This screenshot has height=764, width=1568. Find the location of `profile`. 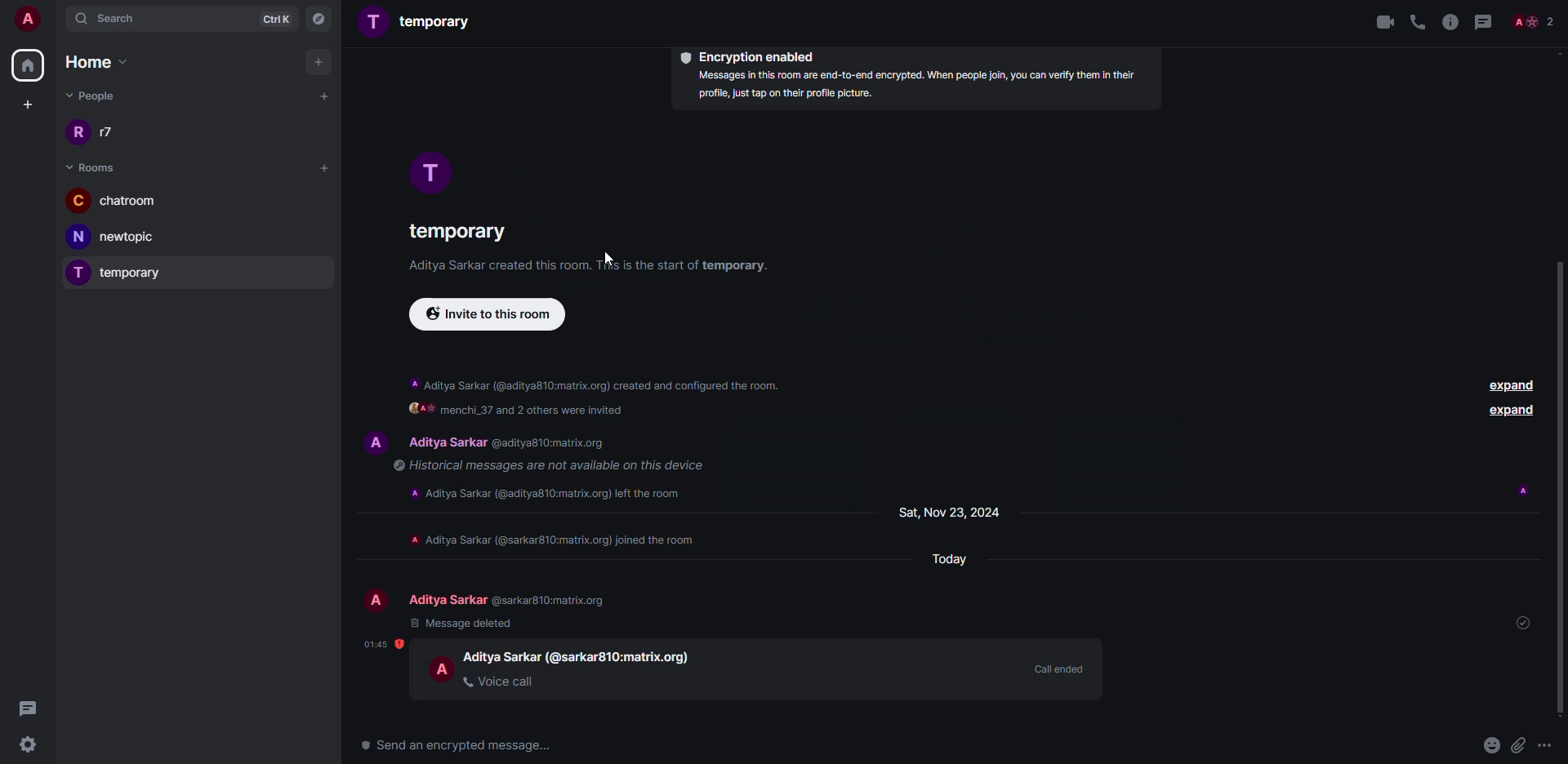

profile is located at coordinates (430, 172).